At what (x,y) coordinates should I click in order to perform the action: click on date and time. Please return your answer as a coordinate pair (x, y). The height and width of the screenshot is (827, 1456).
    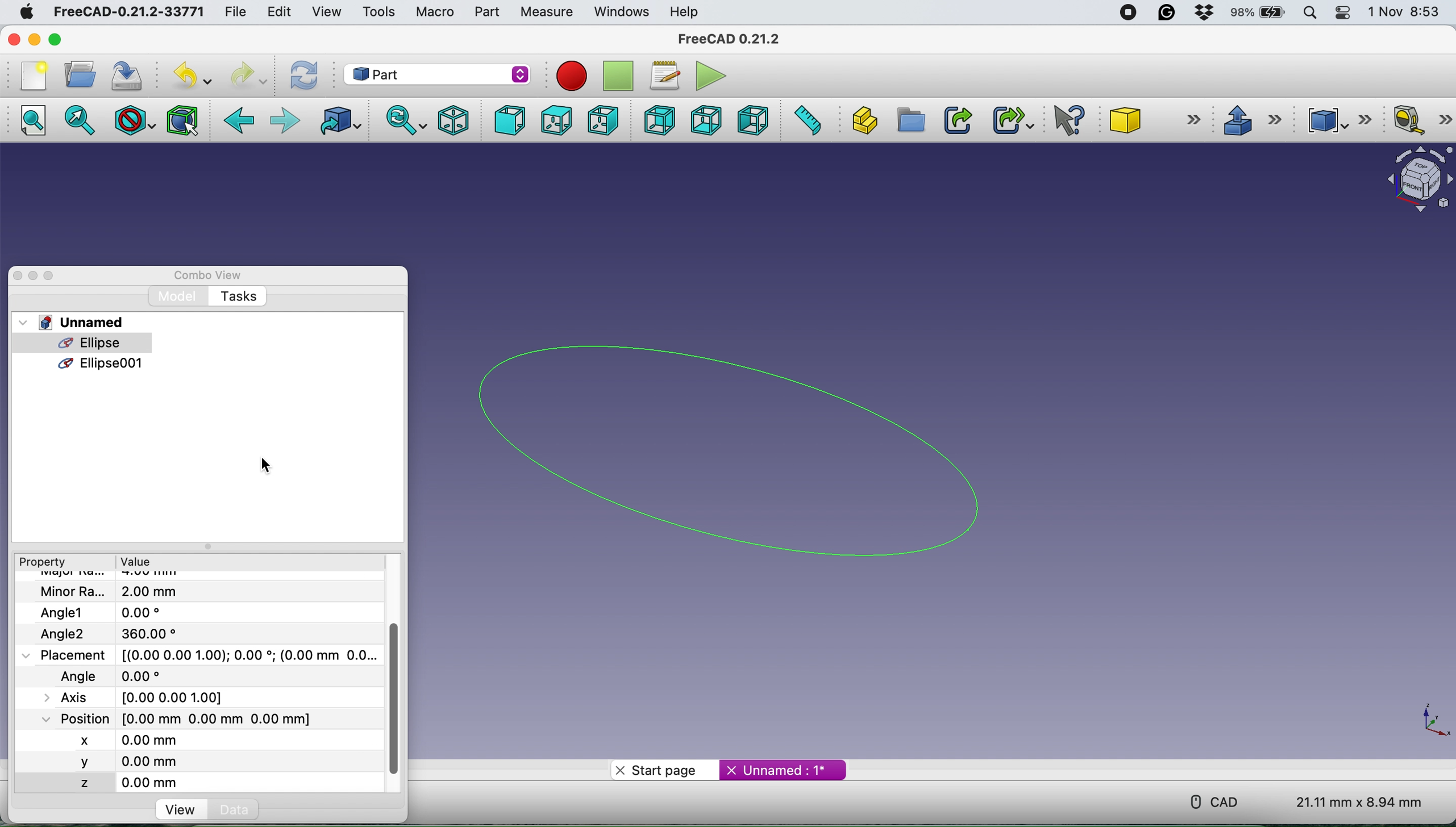
    Looking at the image, I should click on (1405, 12).